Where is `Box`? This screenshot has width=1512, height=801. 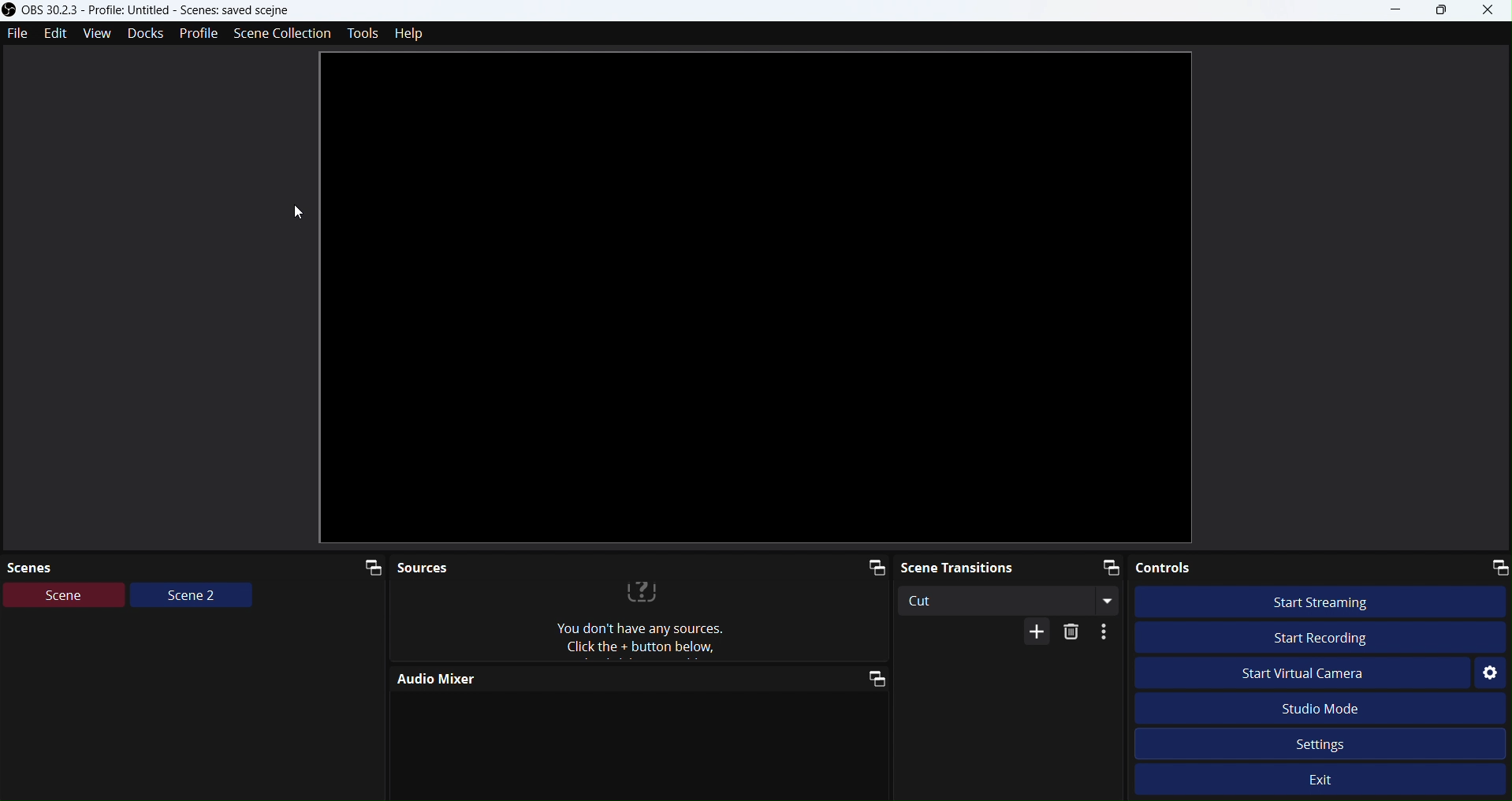 Box is located at coordinates (1445, 13).